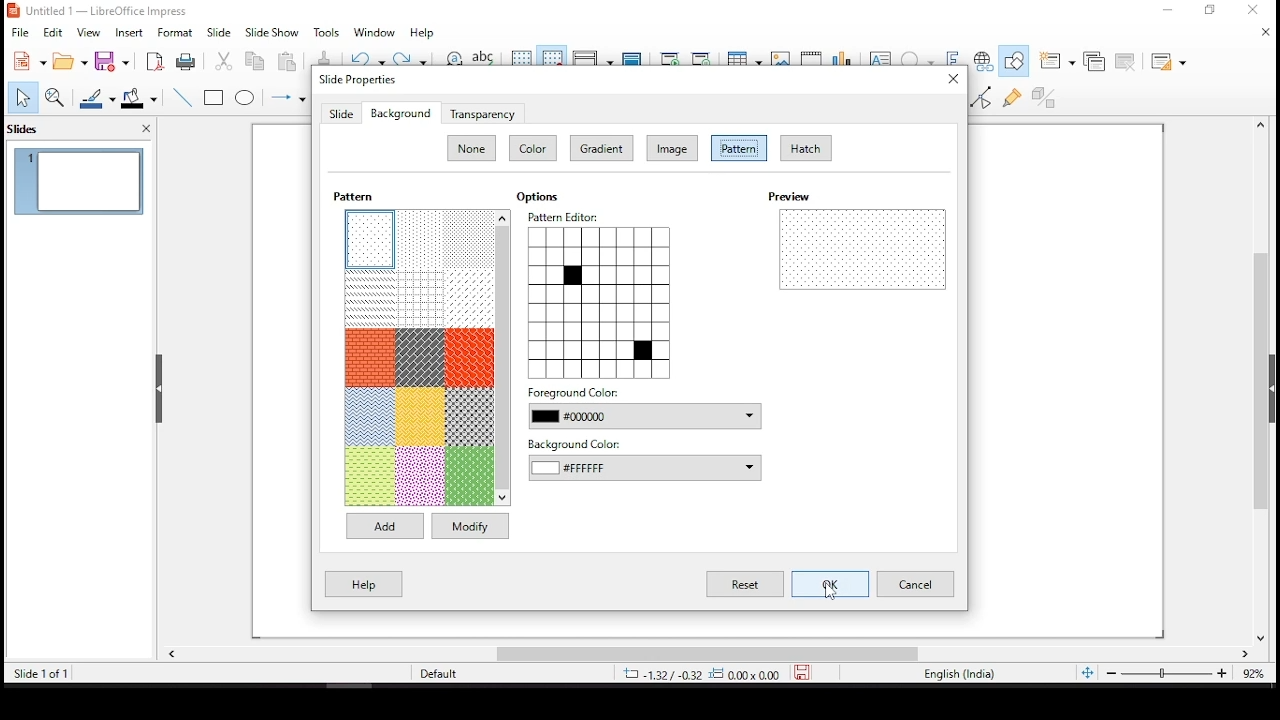 This screenshot has width=1280, height=720. I want to click on insert font work text, so click(952, 51).